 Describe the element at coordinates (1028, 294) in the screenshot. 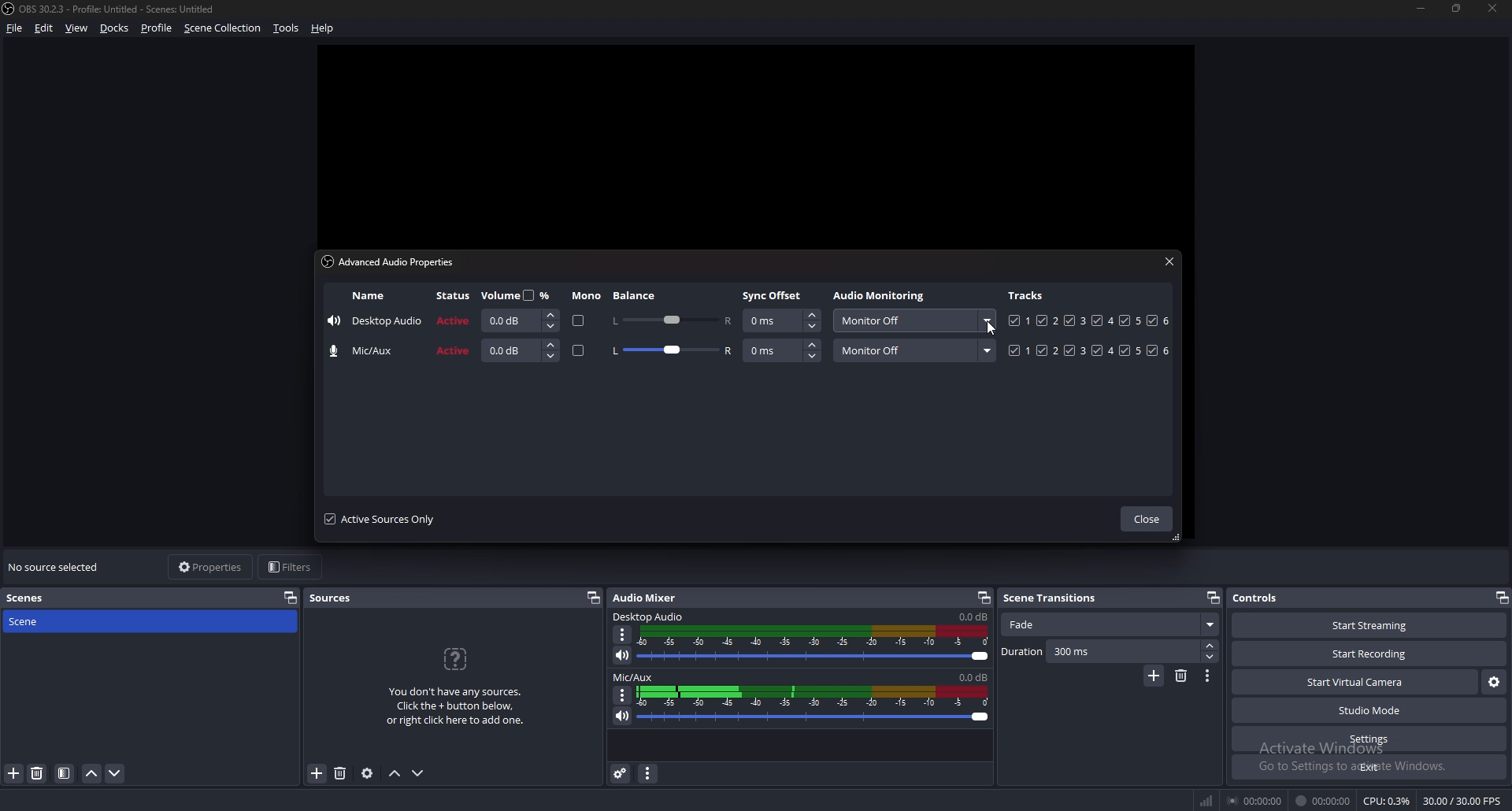

I see `tracks` at that location.